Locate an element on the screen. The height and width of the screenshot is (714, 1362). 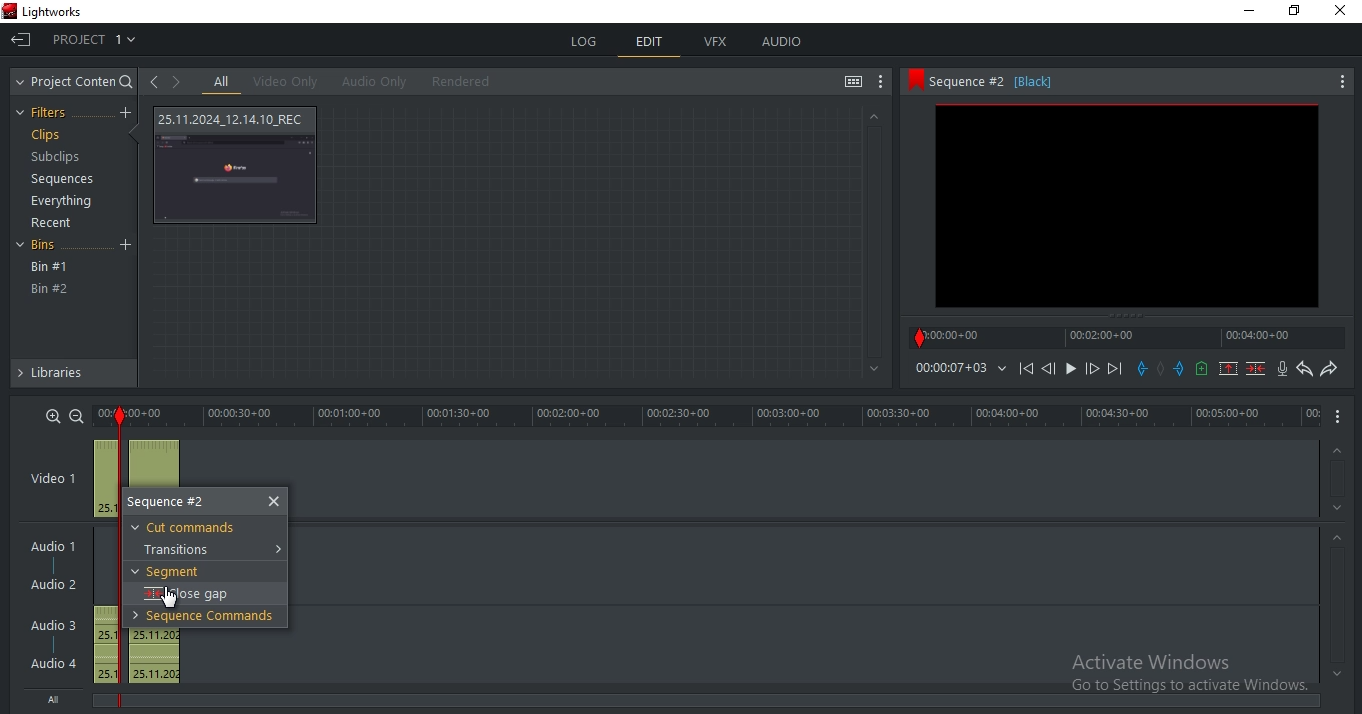
bin #2 is located at coordinates (50, 289).